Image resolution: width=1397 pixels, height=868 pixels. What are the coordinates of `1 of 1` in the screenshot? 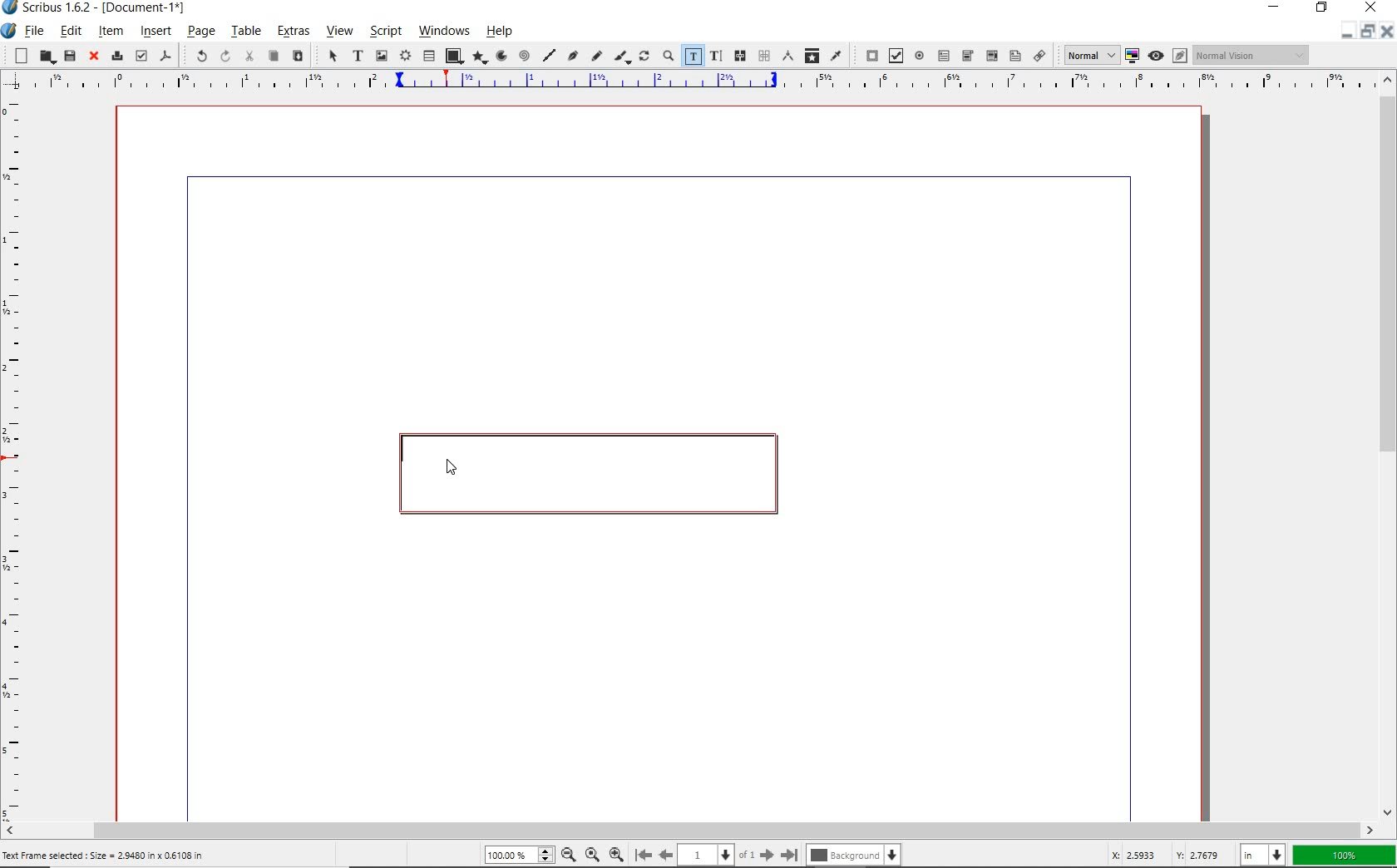 It's located at (716, 855).